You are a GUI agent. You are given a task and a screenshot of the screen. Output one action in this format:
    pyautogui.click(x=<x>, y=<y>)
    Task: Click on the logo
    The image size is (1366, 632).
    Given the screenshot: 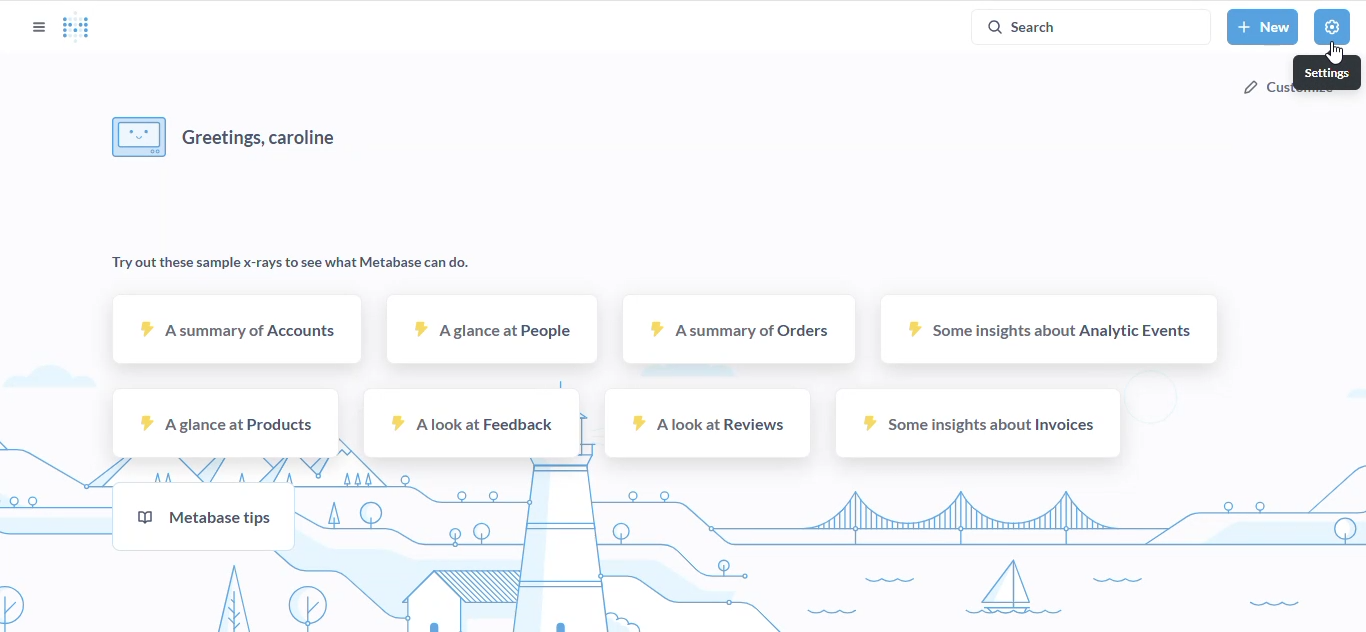 What is the action you would take?
    pyautogui.click(x=76, y=25)
    